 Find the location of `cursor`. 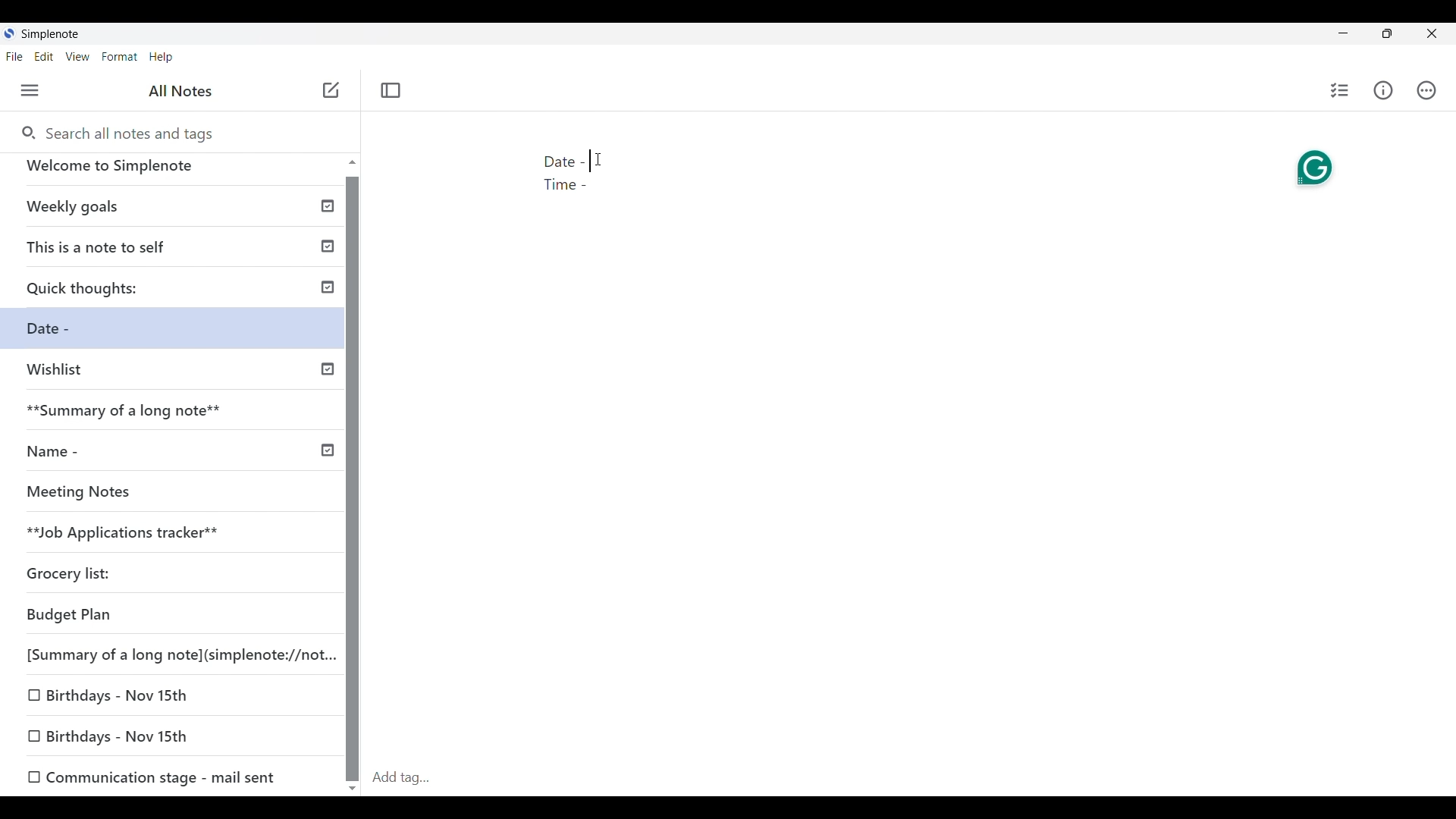

cursor is located at coordinates (600, 161).